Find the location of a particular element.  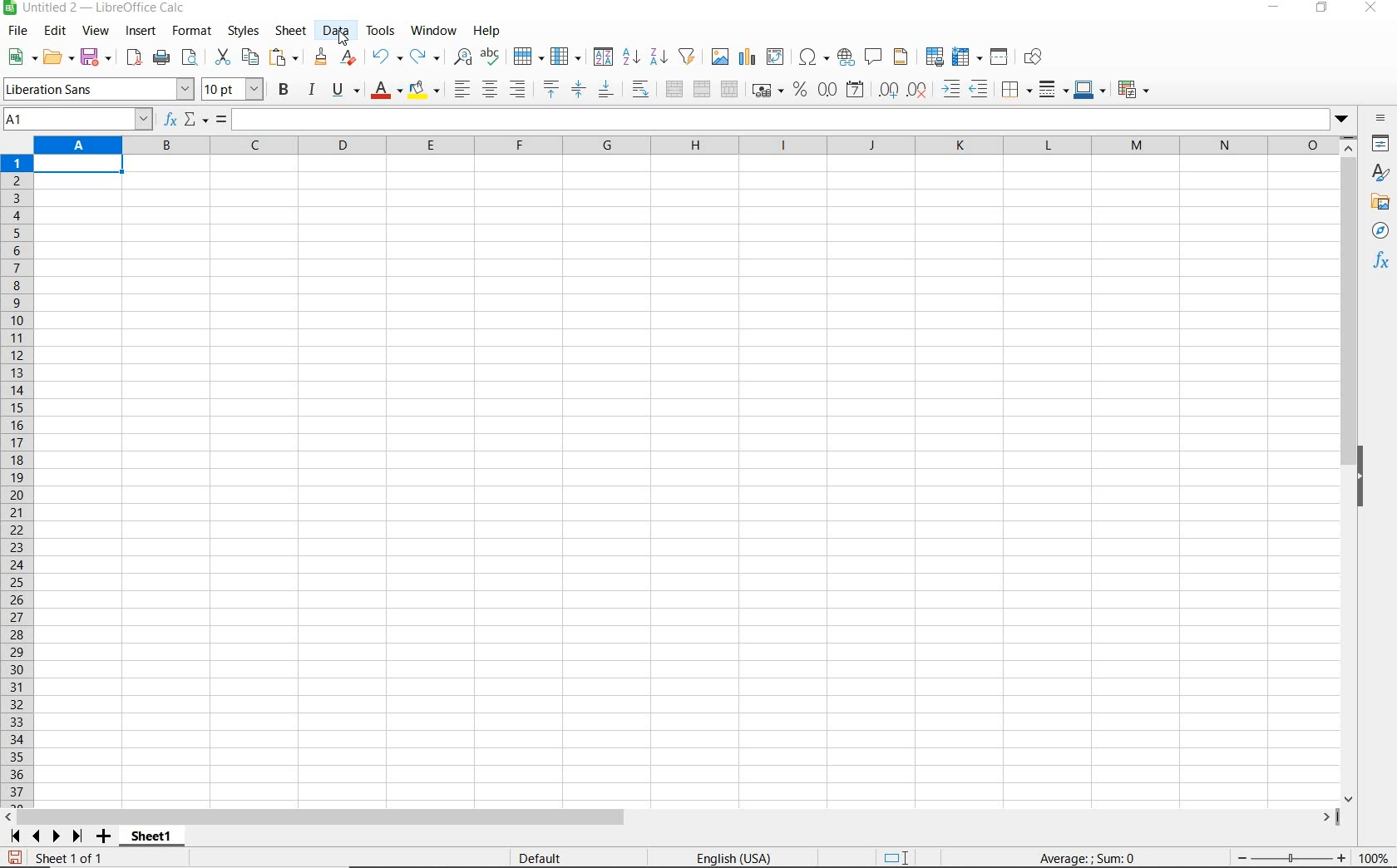

sidebar settings is located at coordinates (1381, 120).